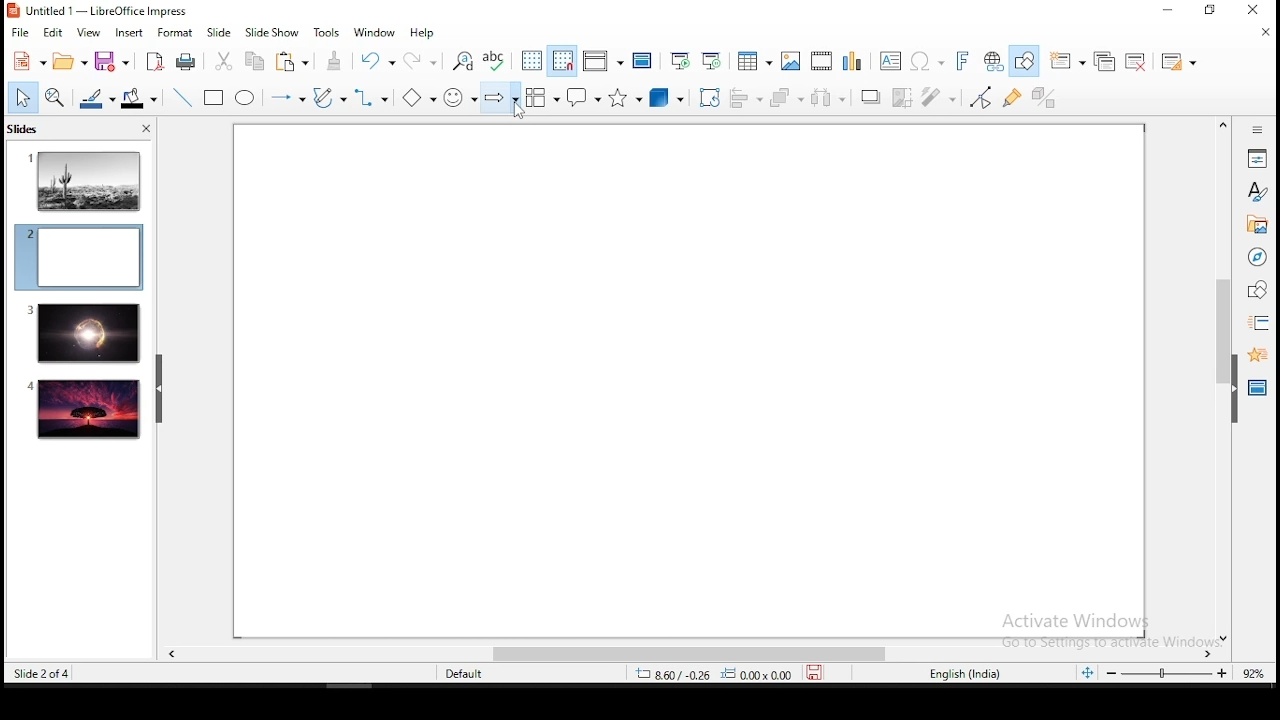 The width and height of the screenshot is (1280, 720). Describe the element at coordinates (89, 32) in the screenshot. I see `view` at that location.